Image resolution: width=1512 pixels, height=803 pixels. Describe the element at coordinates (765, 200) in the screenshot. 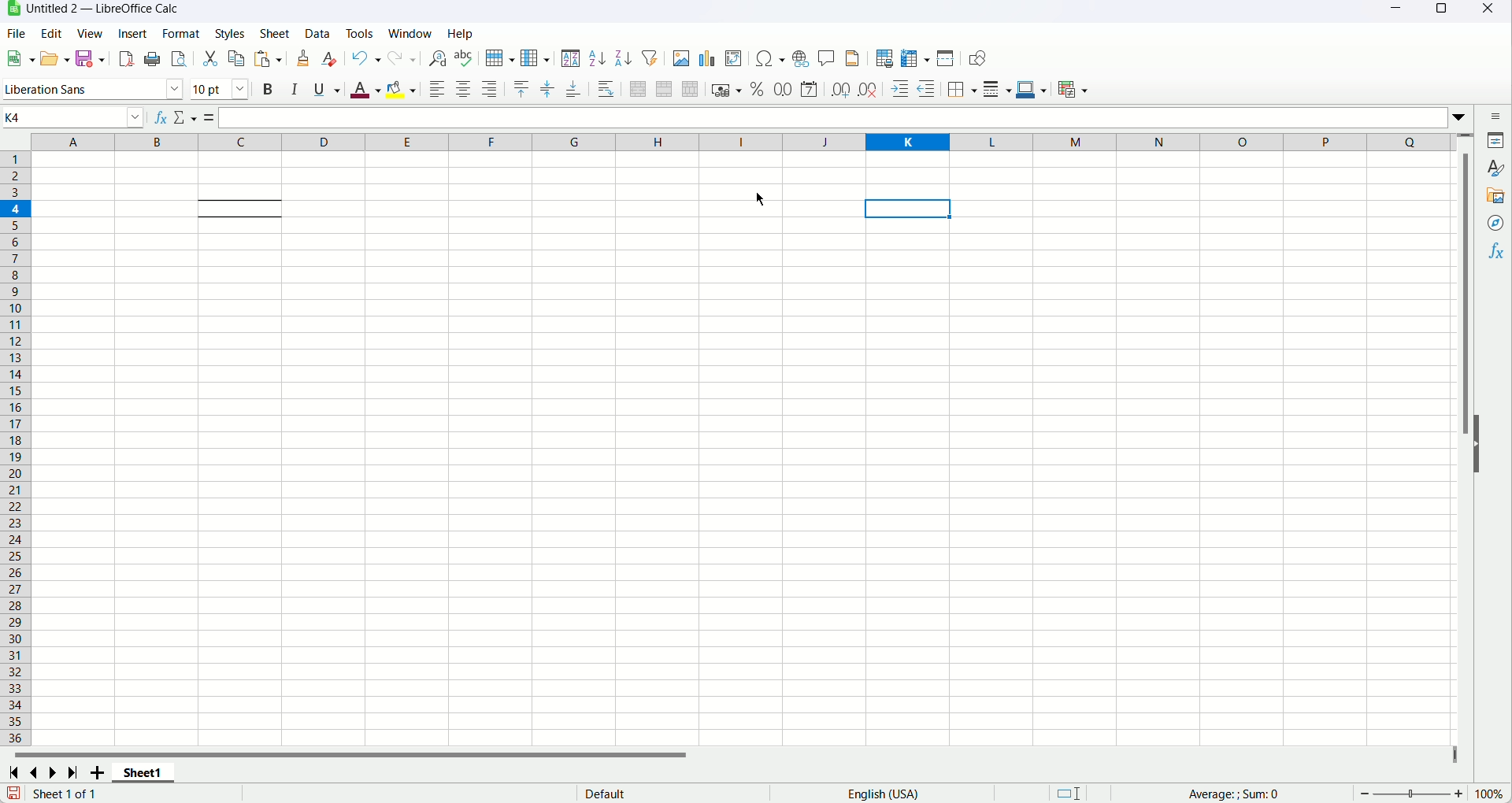

I see `cursor` at that location.